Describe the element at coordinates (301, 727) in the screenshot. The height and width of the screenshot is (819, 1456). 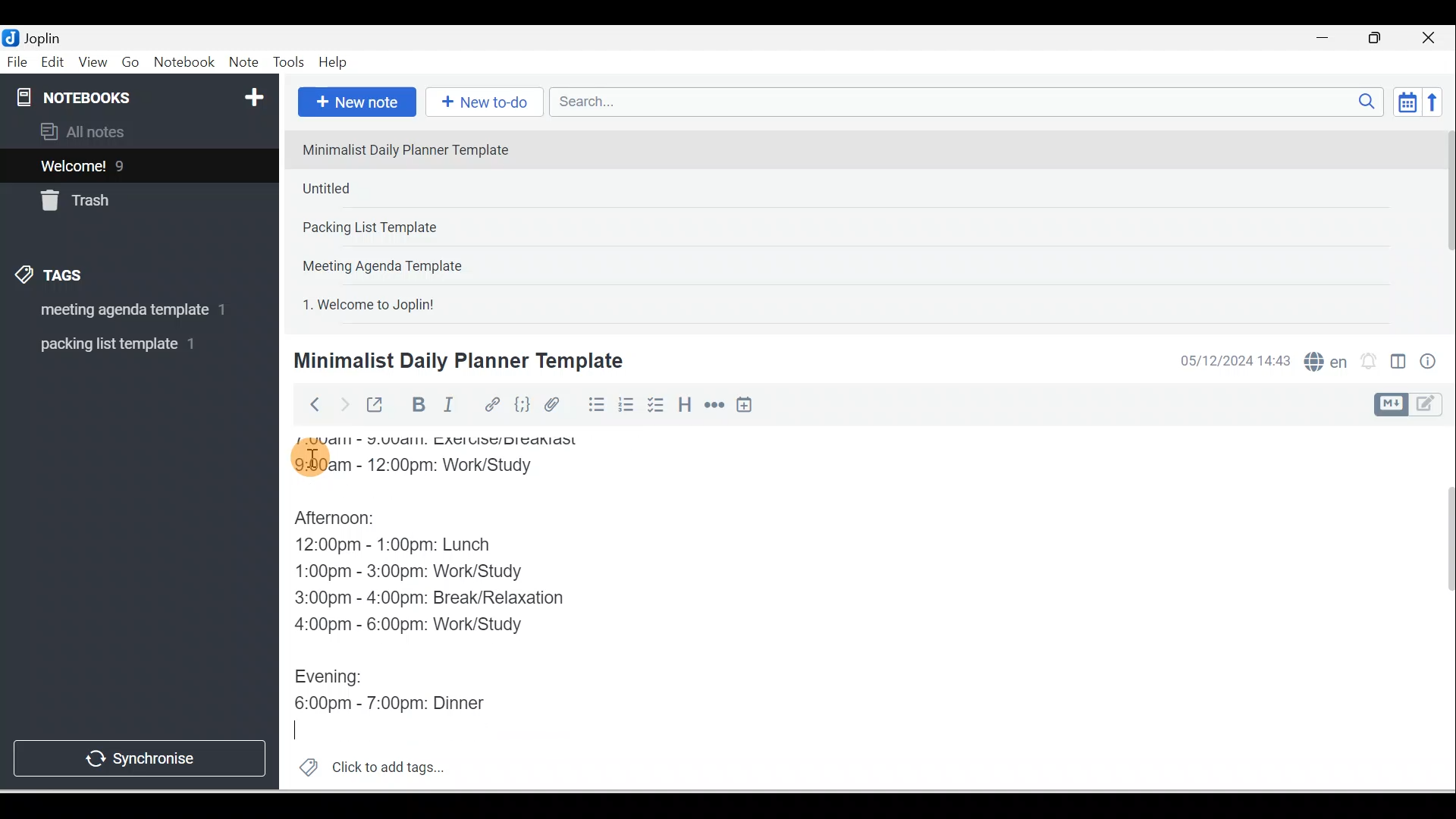
I see `Cursor` at that location.